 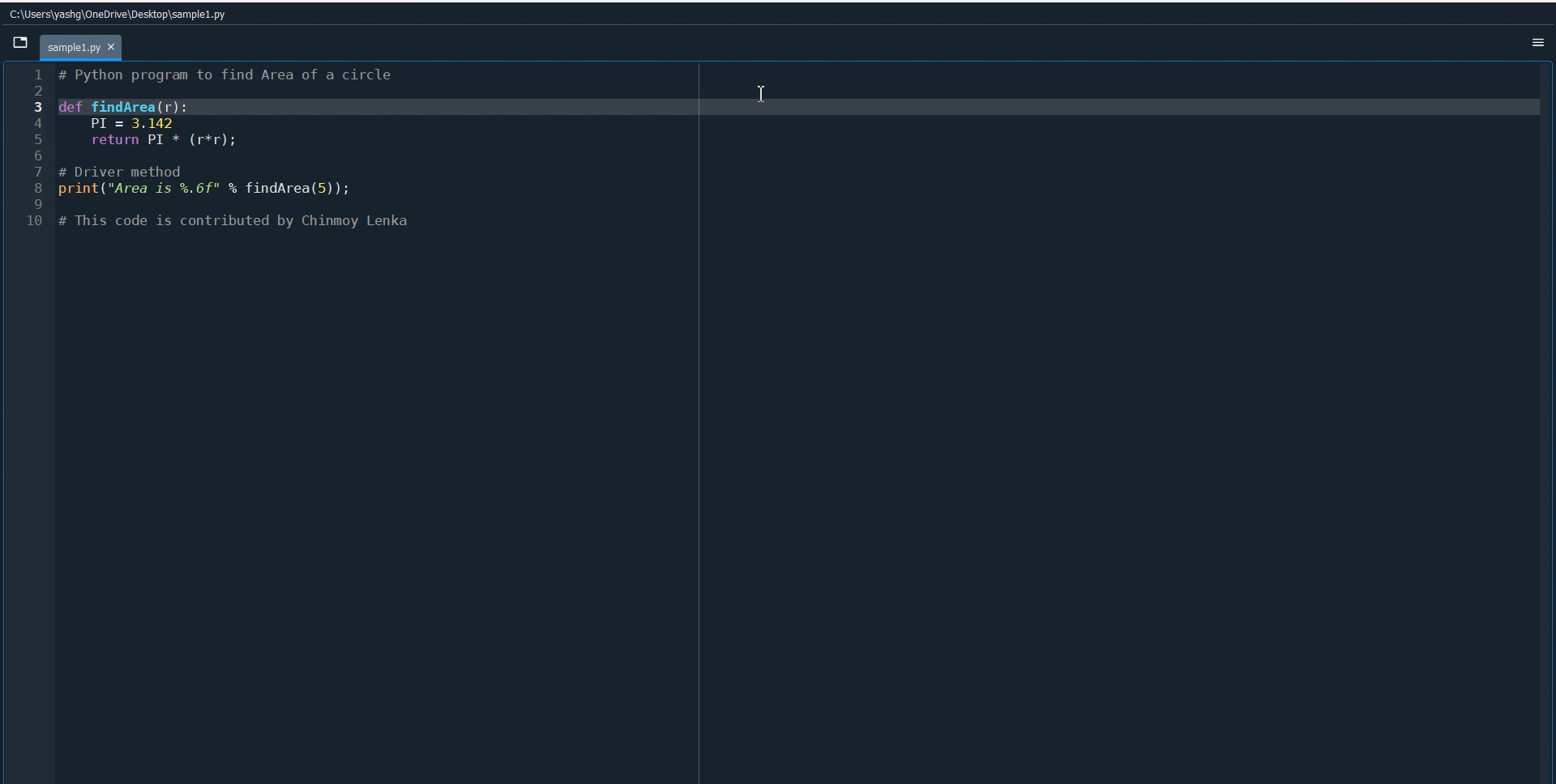 I want to click on File Path address, so click(x=115, y=14).